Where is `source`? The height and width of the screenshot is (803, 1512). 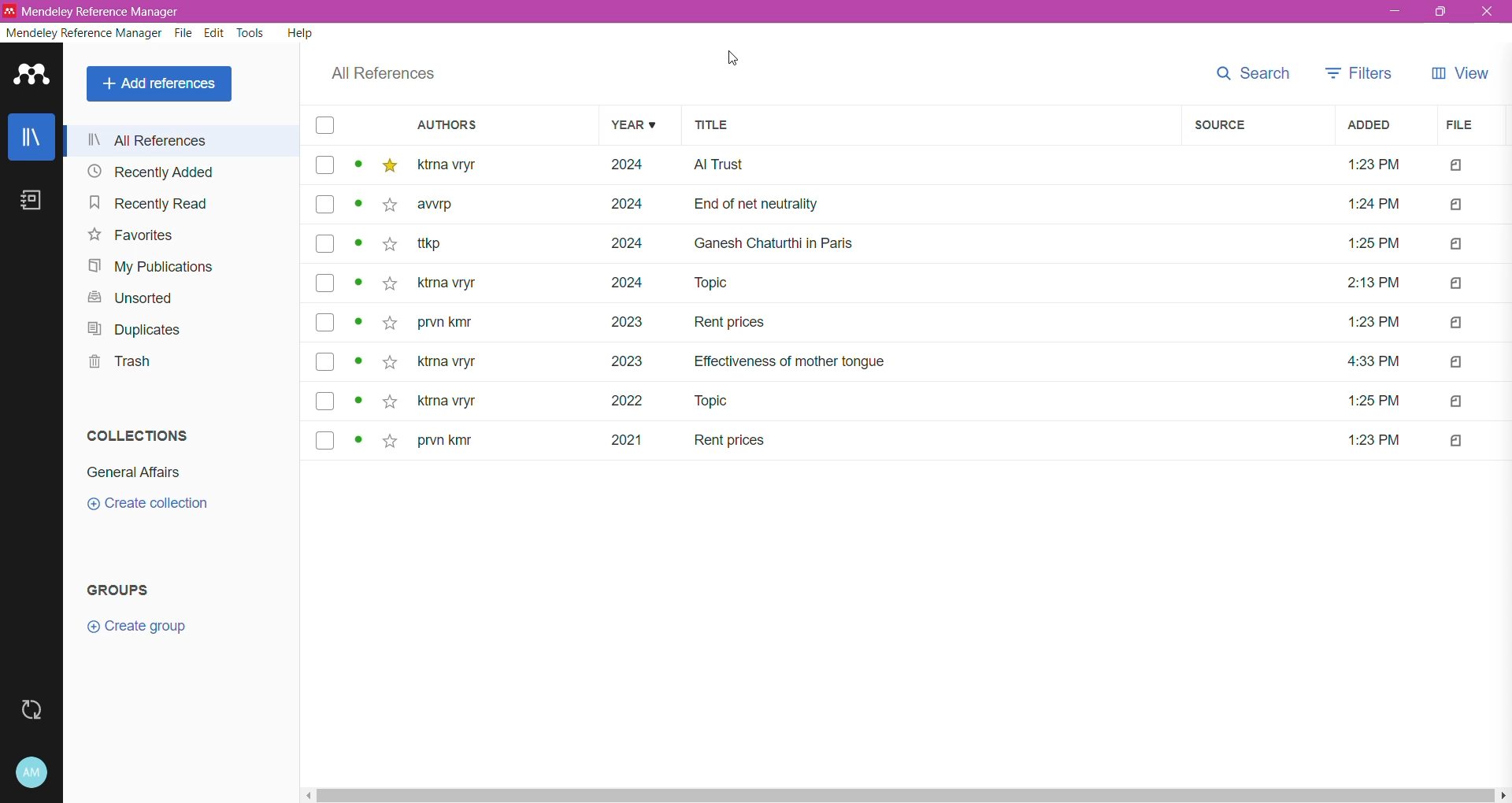 source is located at coordinates (1221, 125).